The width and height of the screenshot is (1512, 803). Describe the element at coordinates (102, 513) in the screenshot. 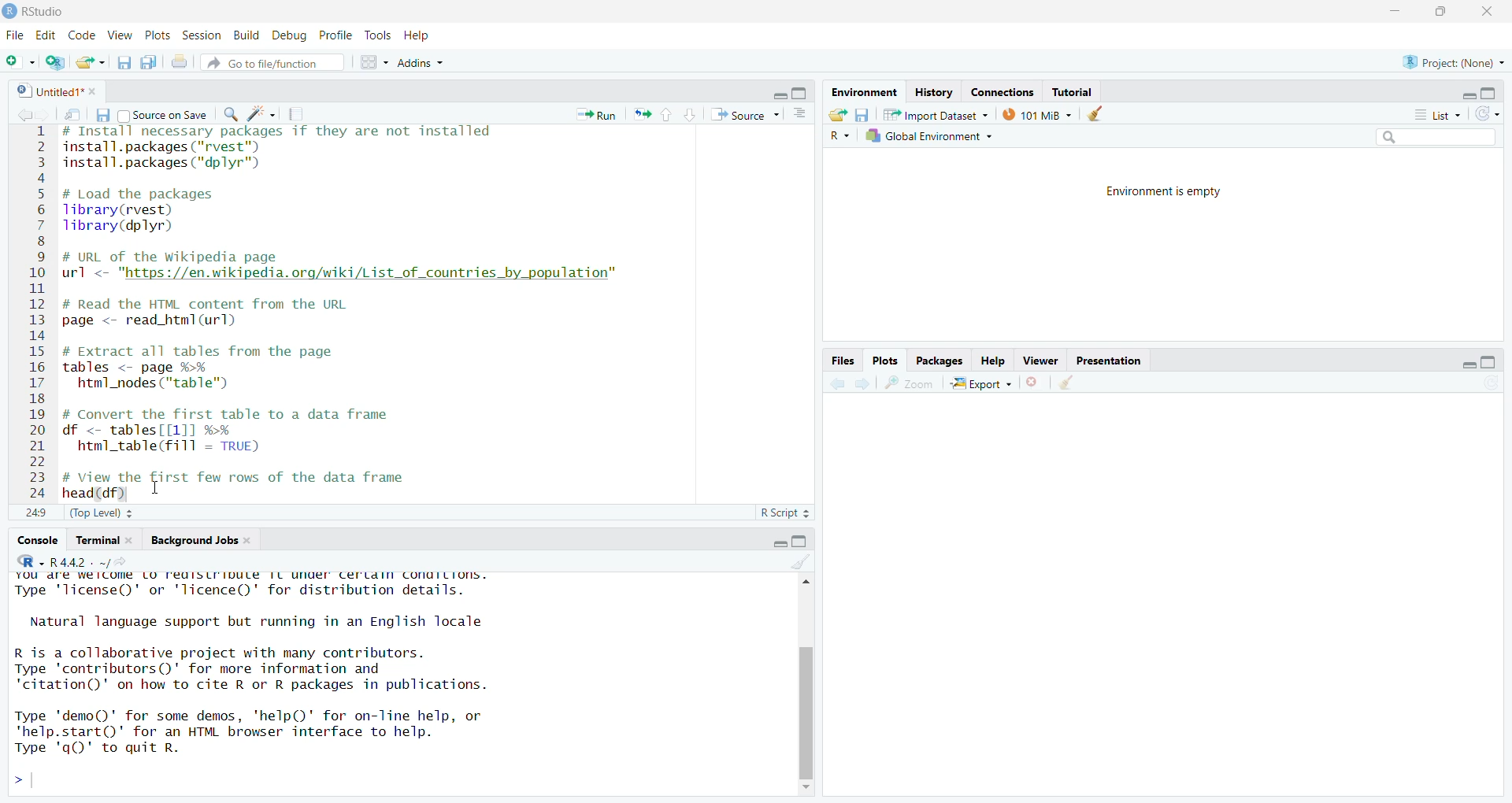

I see `(Top level)` at that location.